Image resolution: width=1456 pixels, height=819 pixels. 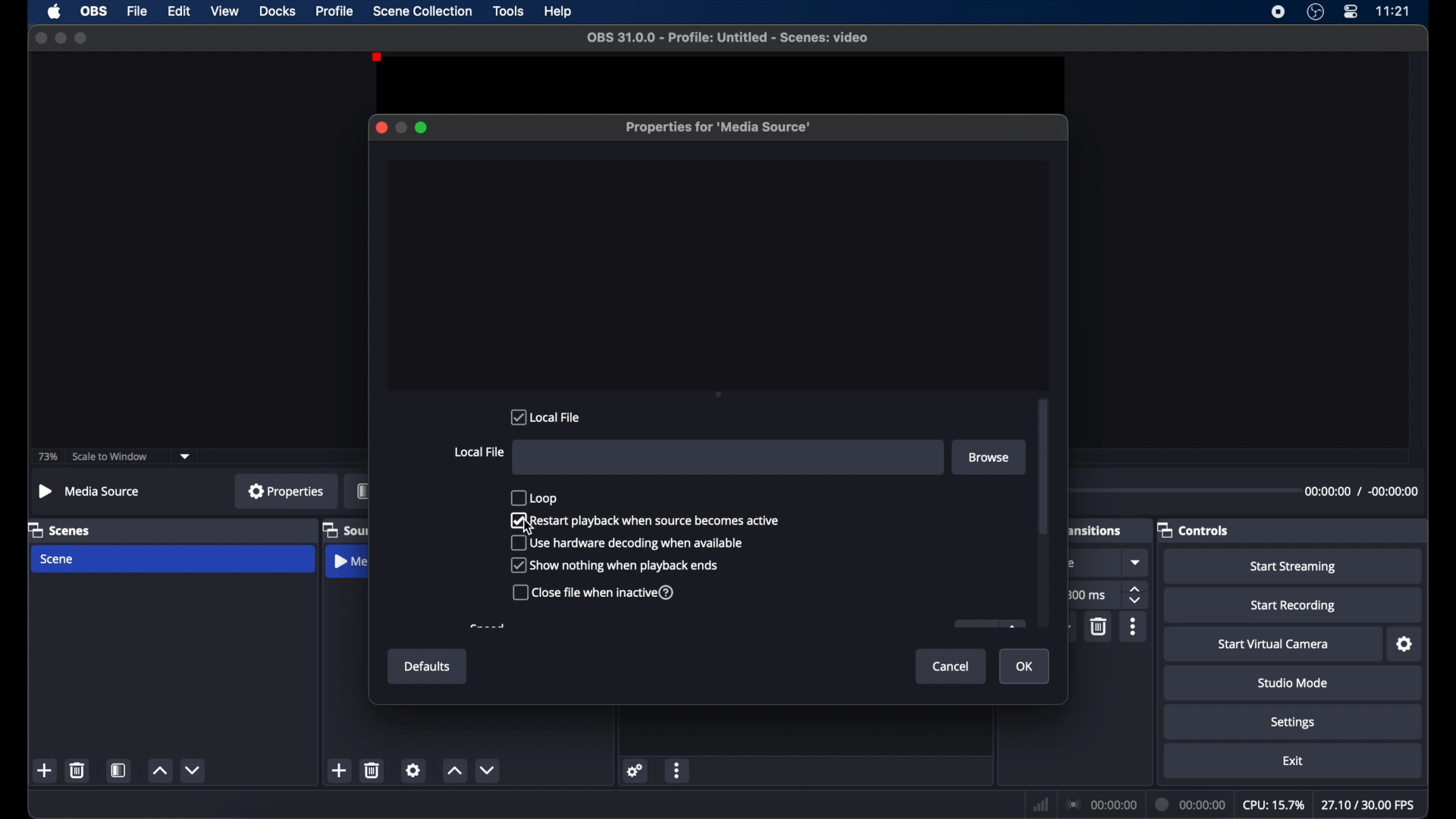 I want to click on studio mode, so click(x=1293, y=682).